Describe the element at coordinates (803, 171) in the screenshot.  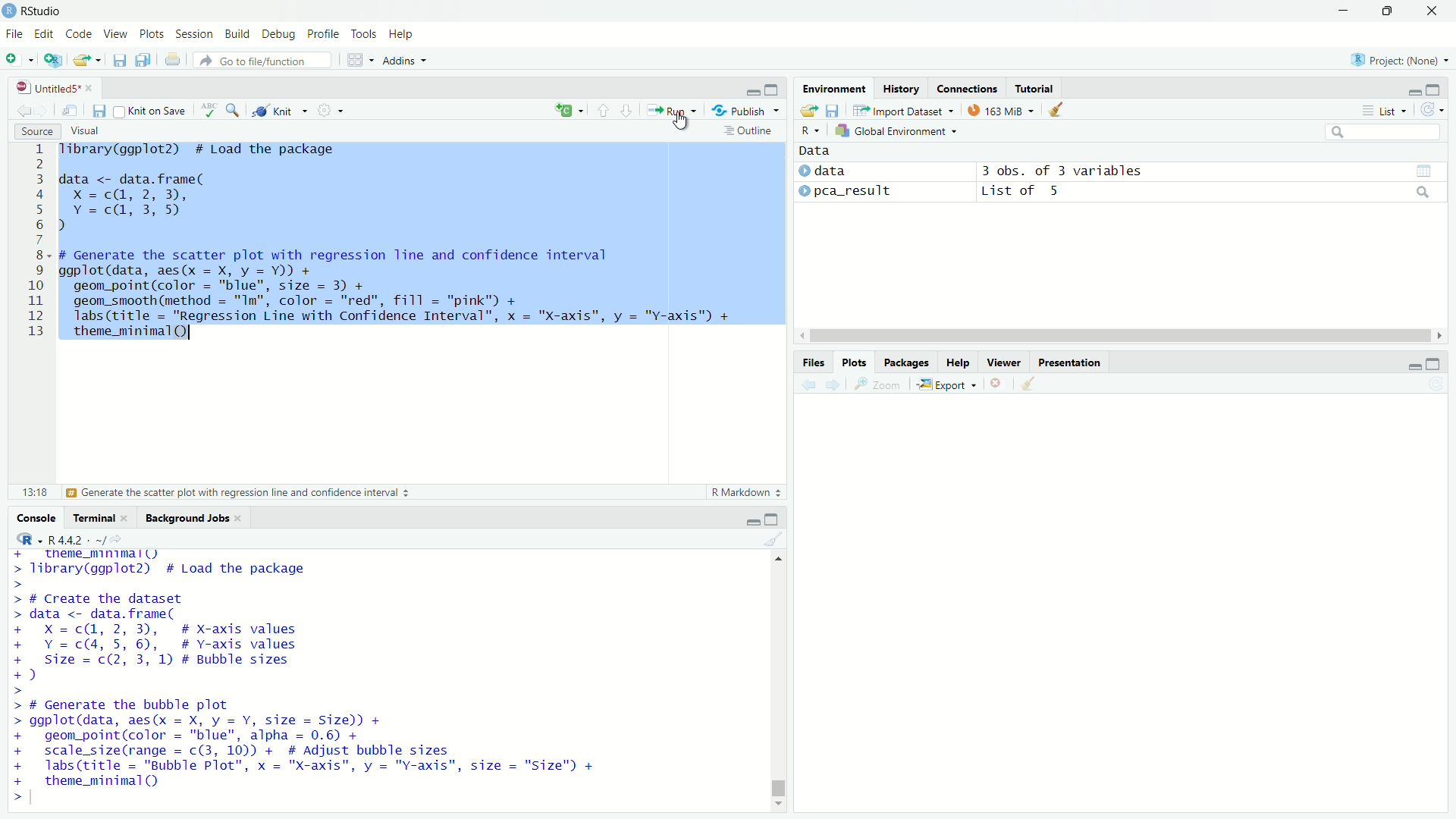
I see `expand/collapse` at that location.